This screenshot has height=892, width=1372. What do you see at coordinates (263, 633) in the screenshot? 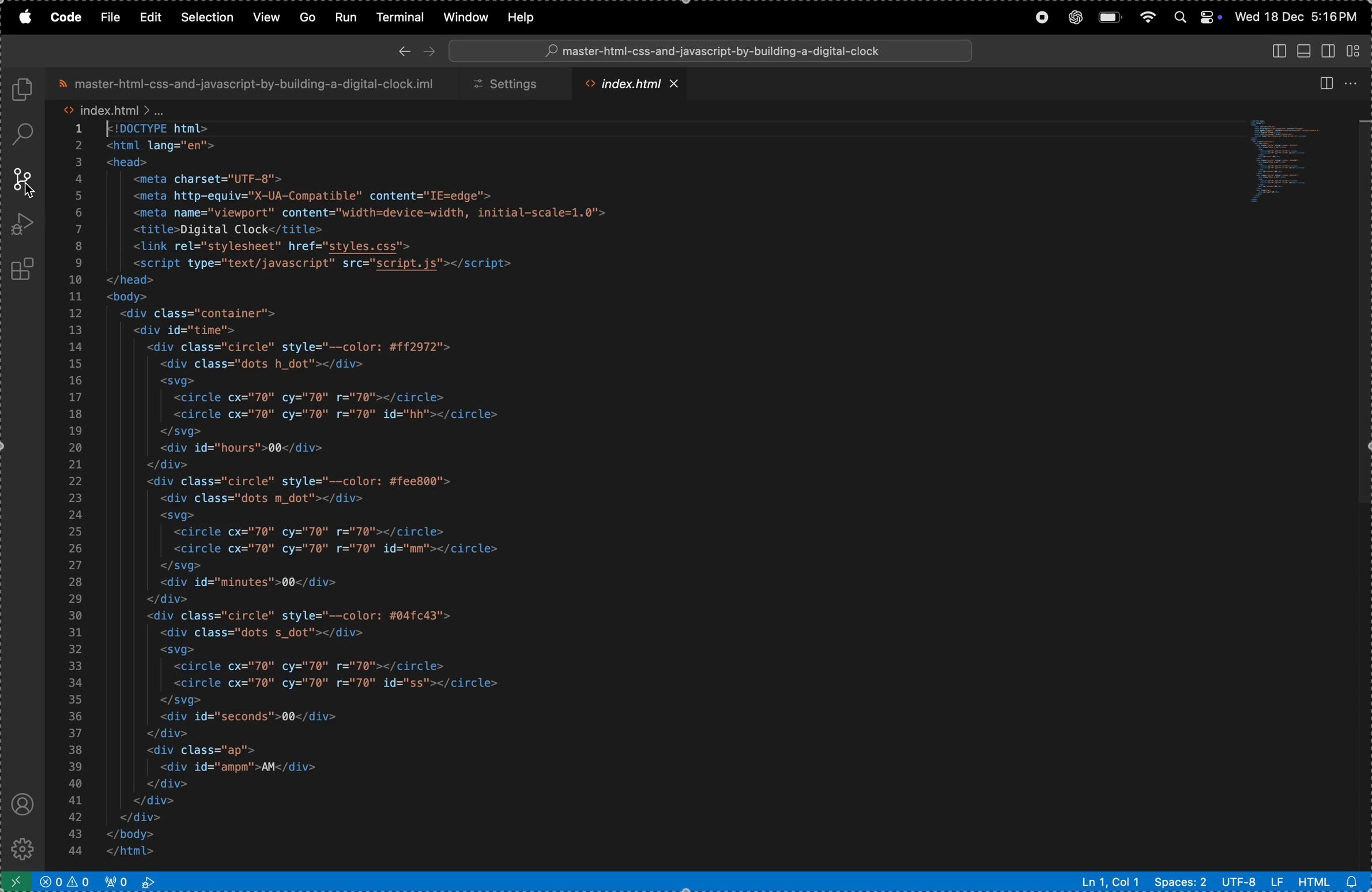
I see `<div class="dots s_dot"></div>` at bounding box center [263, 633].